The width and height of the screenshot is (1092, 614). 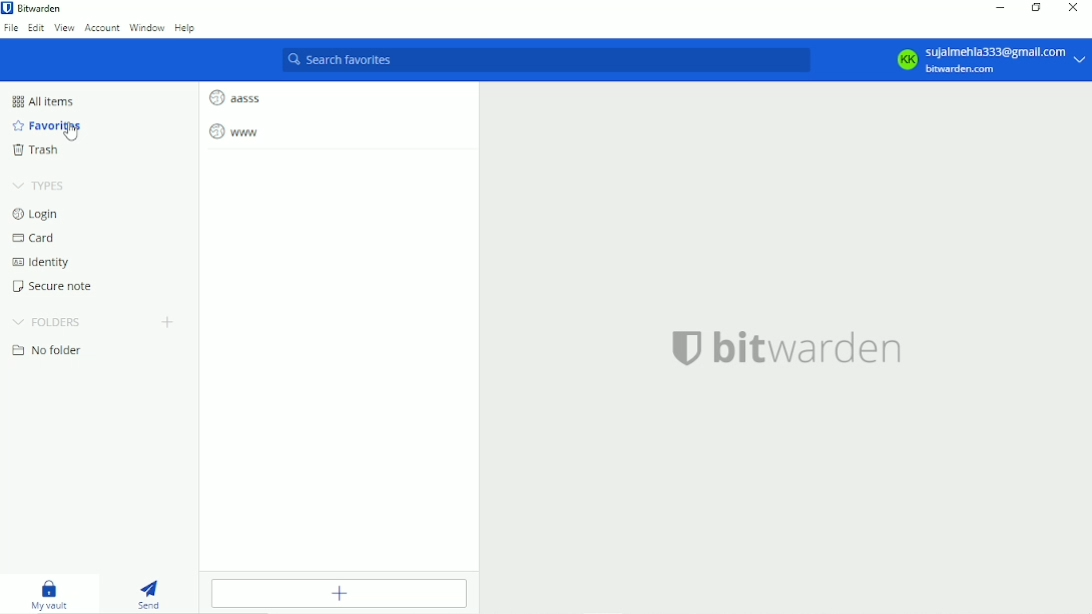 What do you see at coordinates (42, 261) in the screenshot?
I see `Identity` at bounding box center [42, 261].